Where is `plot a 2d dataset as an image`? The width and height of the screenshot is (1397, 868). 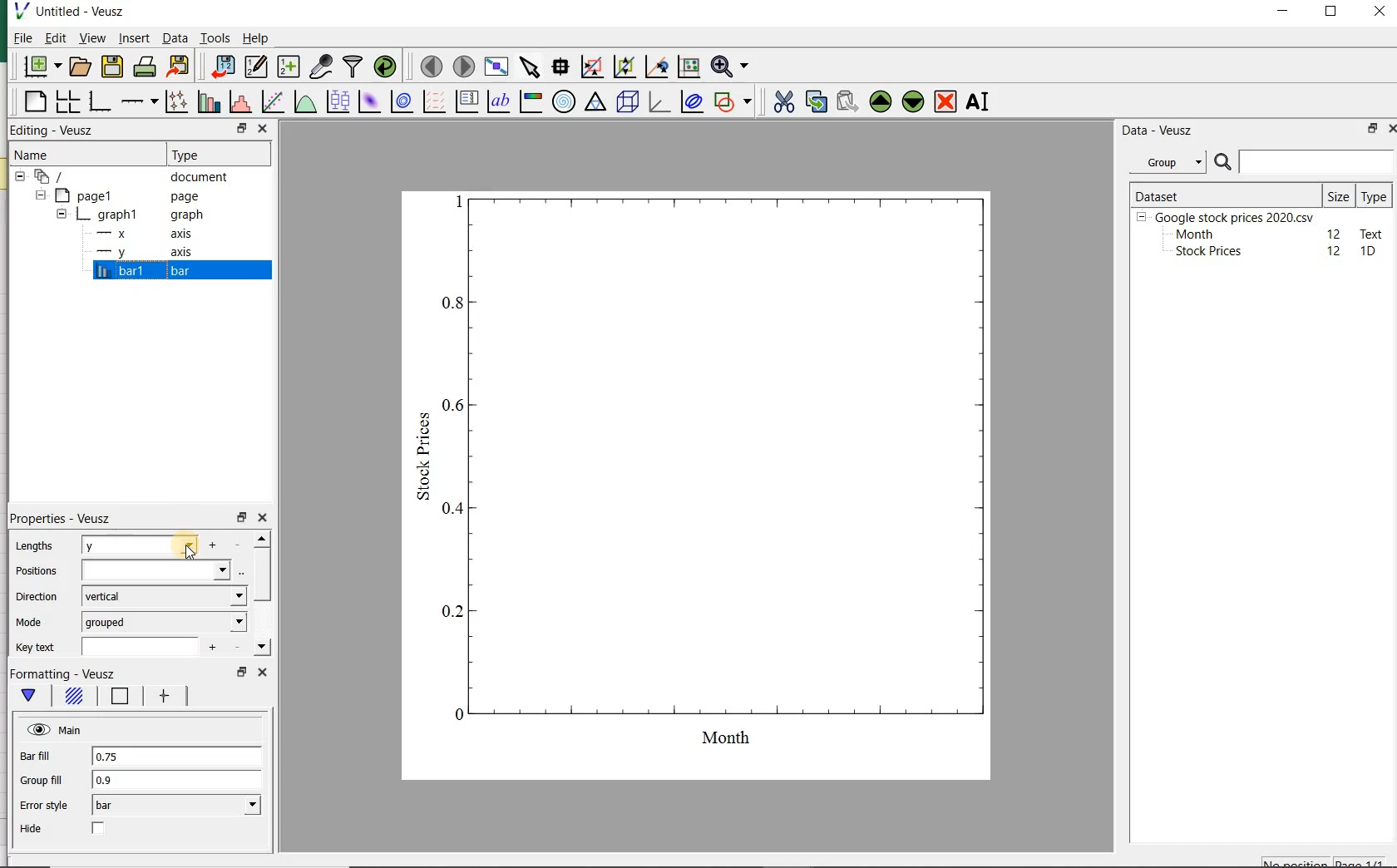
plot a 2d dataset as an image is located at coordinates (368, 101).